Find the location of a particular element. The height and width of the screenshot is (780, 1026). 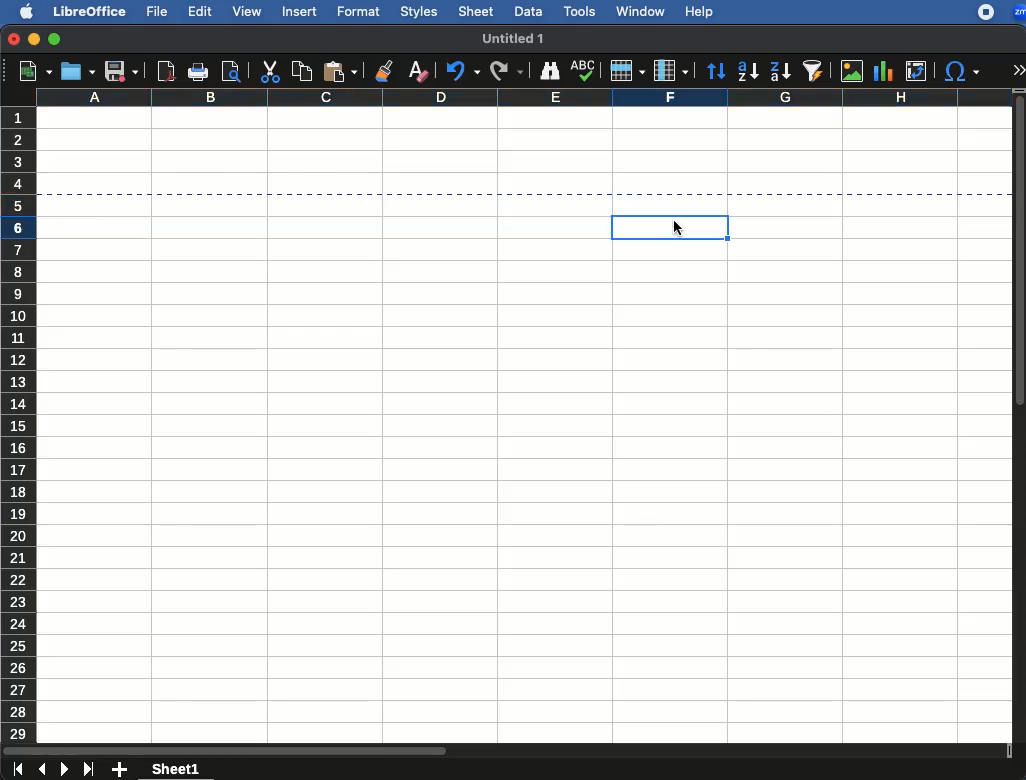

chart is located at coordinates (886, 70).